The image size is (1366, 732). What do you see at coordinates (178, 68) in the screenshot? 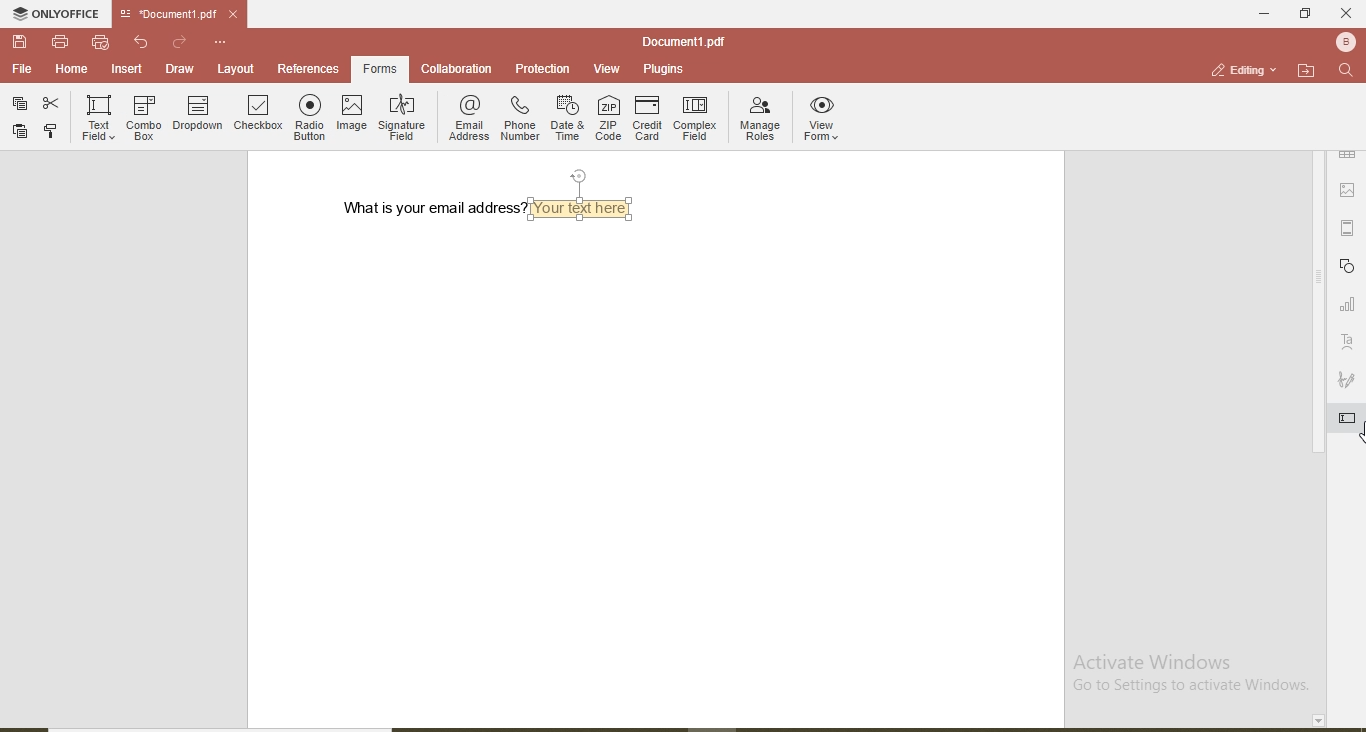
I see `draw` at bounding box center [178, 68].